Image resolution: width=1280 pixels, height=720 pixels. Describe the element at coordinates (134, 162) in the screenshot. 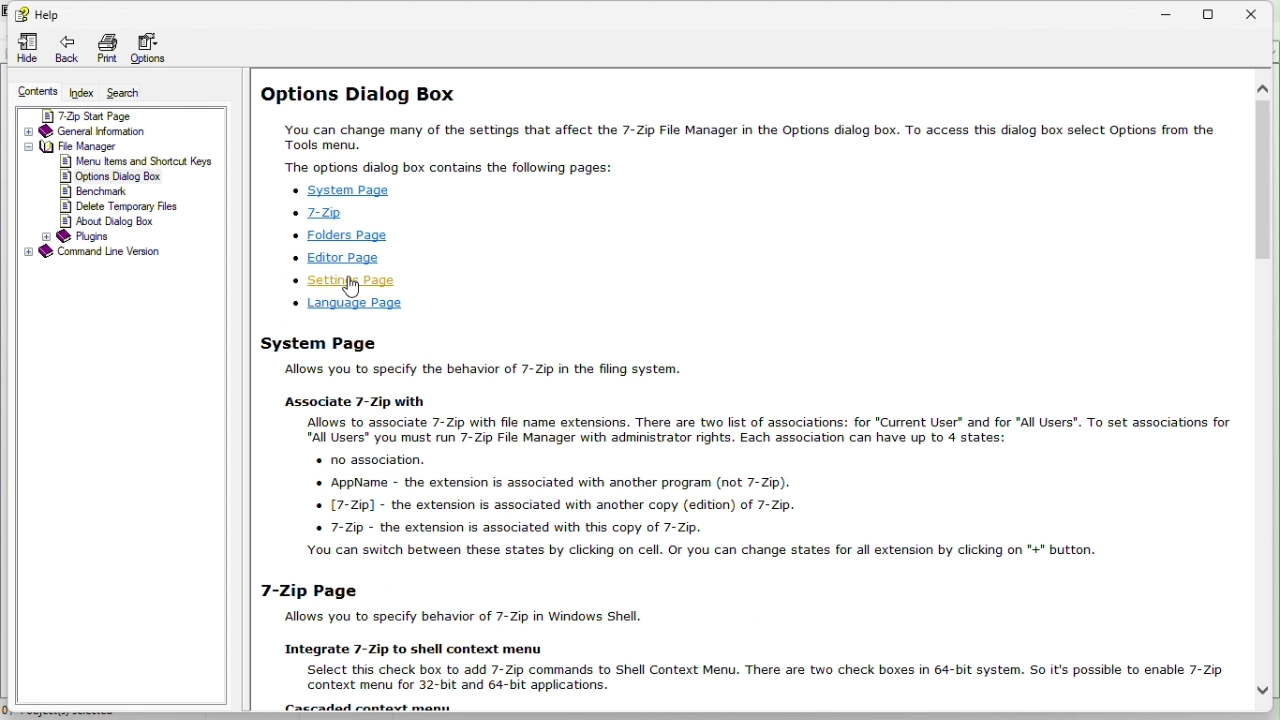

I see `menu items and shortcut keys` at that location.